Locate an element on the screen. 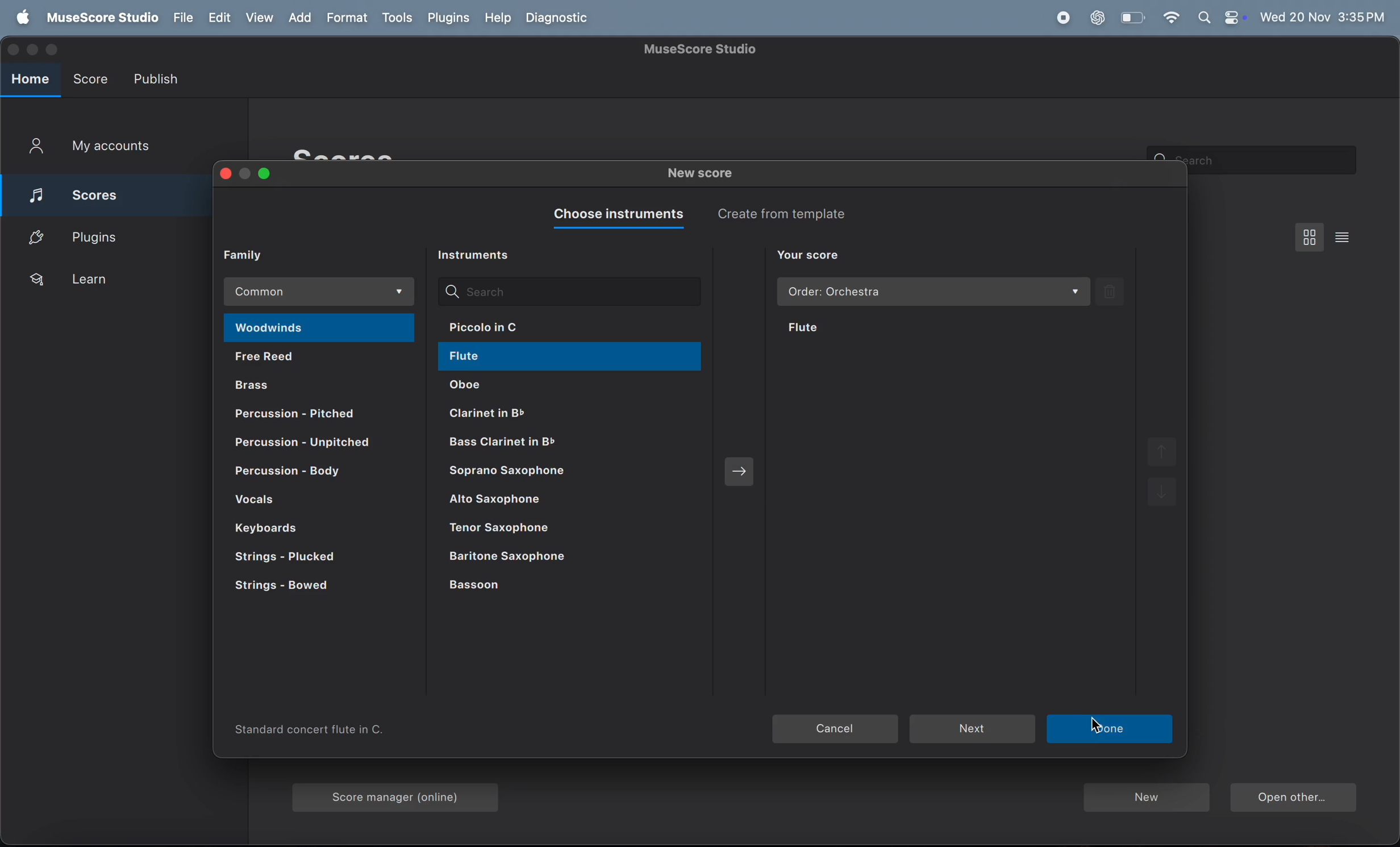 The height and width of the screenshot is (847, 1400). your score is located at coordinates (809, 256).